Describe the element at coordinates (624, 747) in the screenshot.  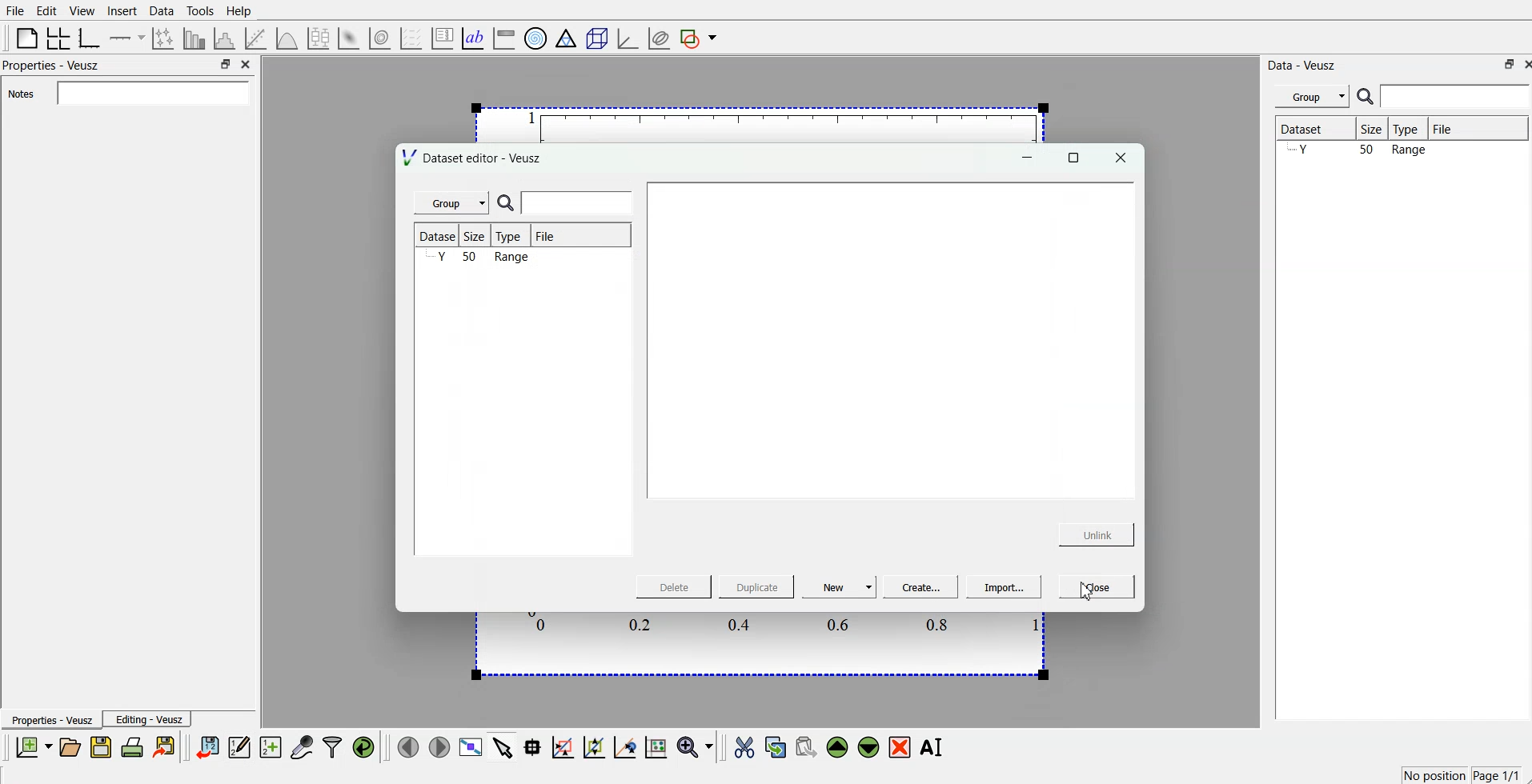
I see `recenter graph axes` at that location.